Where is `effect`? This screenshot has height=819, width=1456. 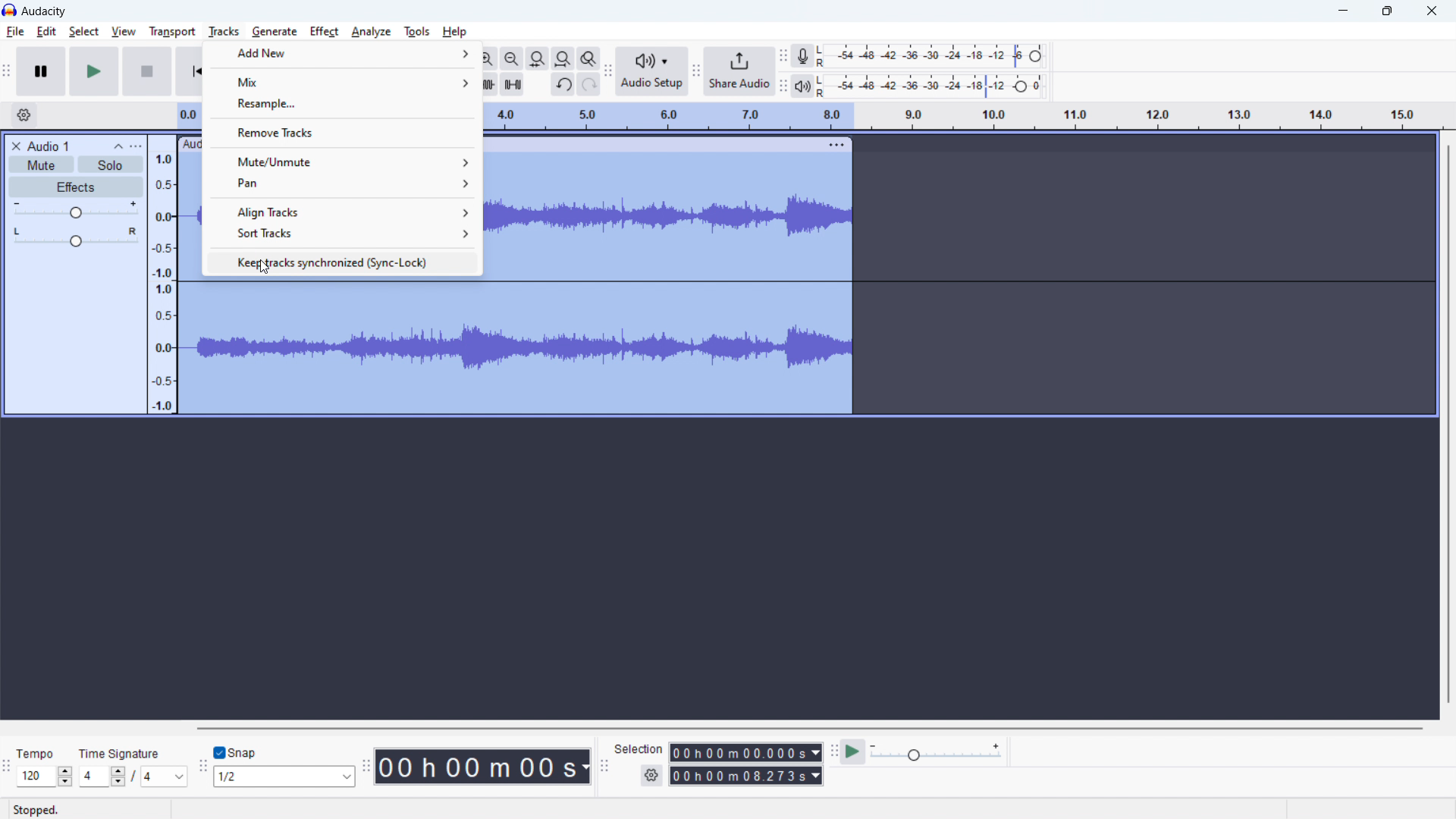 effect is located at coordinates (325, 32).